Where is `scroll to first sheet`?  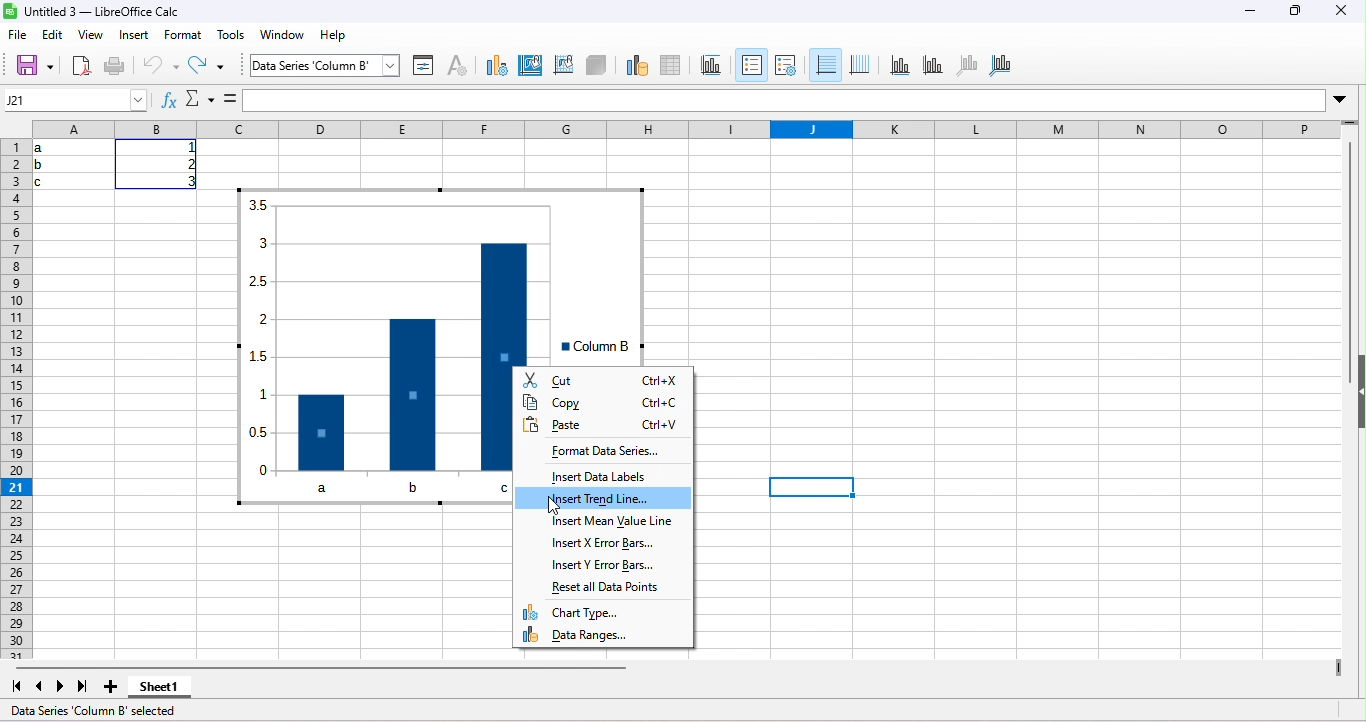 scroll to first sheet is located at coordinates (14, 685).